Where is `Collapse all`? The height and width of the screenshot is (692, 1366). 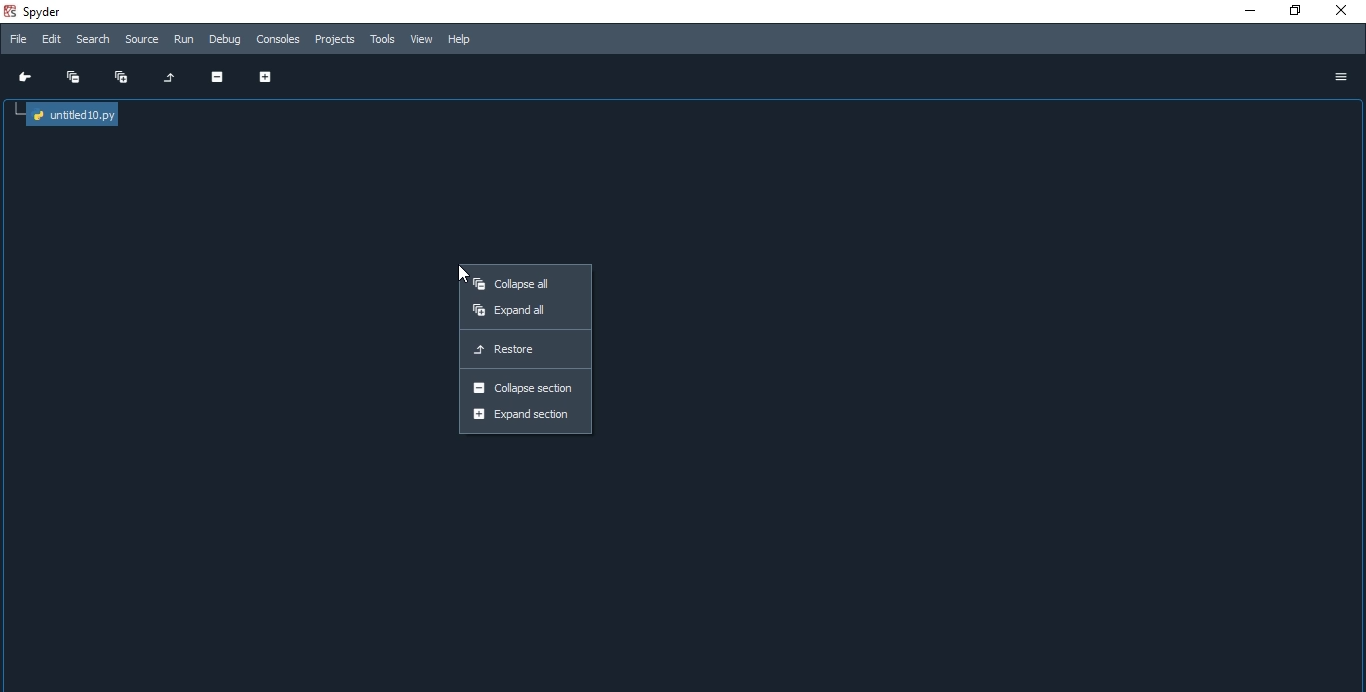
Collapse all is located at coordinates (523, 285).